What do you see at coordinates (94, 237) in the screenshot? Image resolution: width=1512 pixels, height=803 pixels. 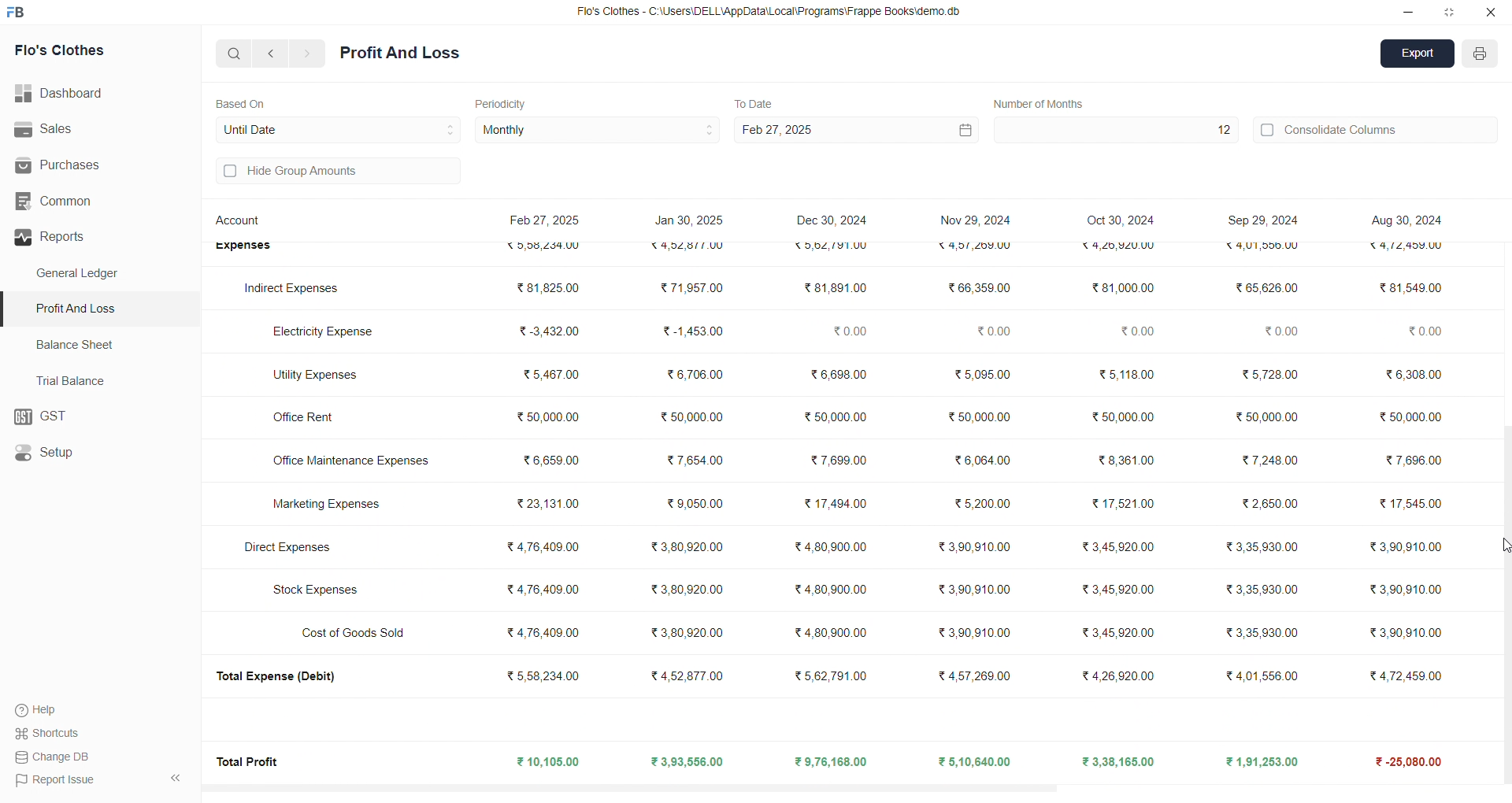 I see `Reports` at bounding box center [94, 237].